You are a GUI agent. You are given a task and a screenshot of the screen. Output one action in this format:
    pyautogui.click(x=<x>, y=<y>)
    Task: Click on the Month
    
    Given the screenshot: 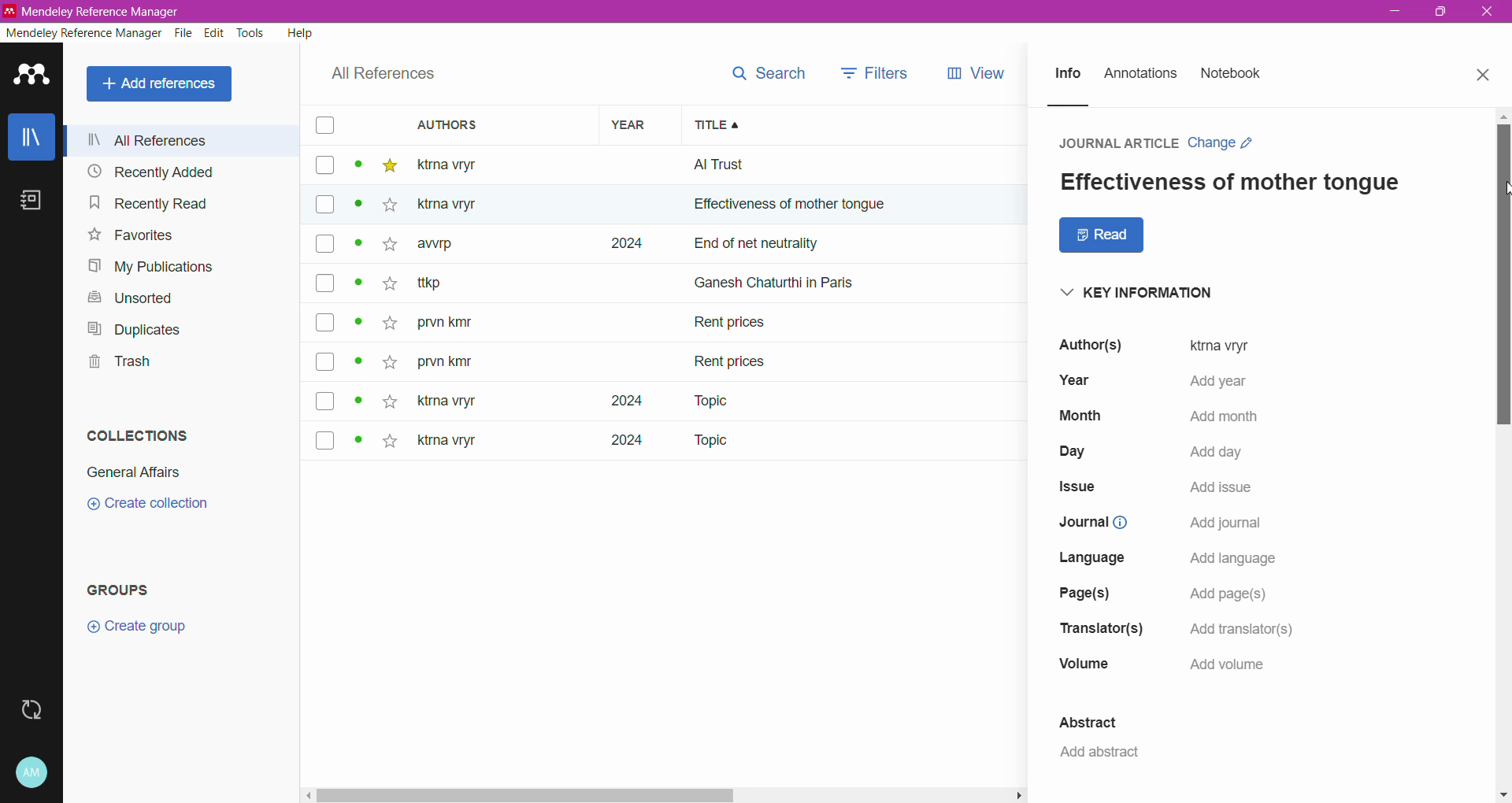 What is the action you would take?
    pyautogui.click(x=1078, y=416)
    